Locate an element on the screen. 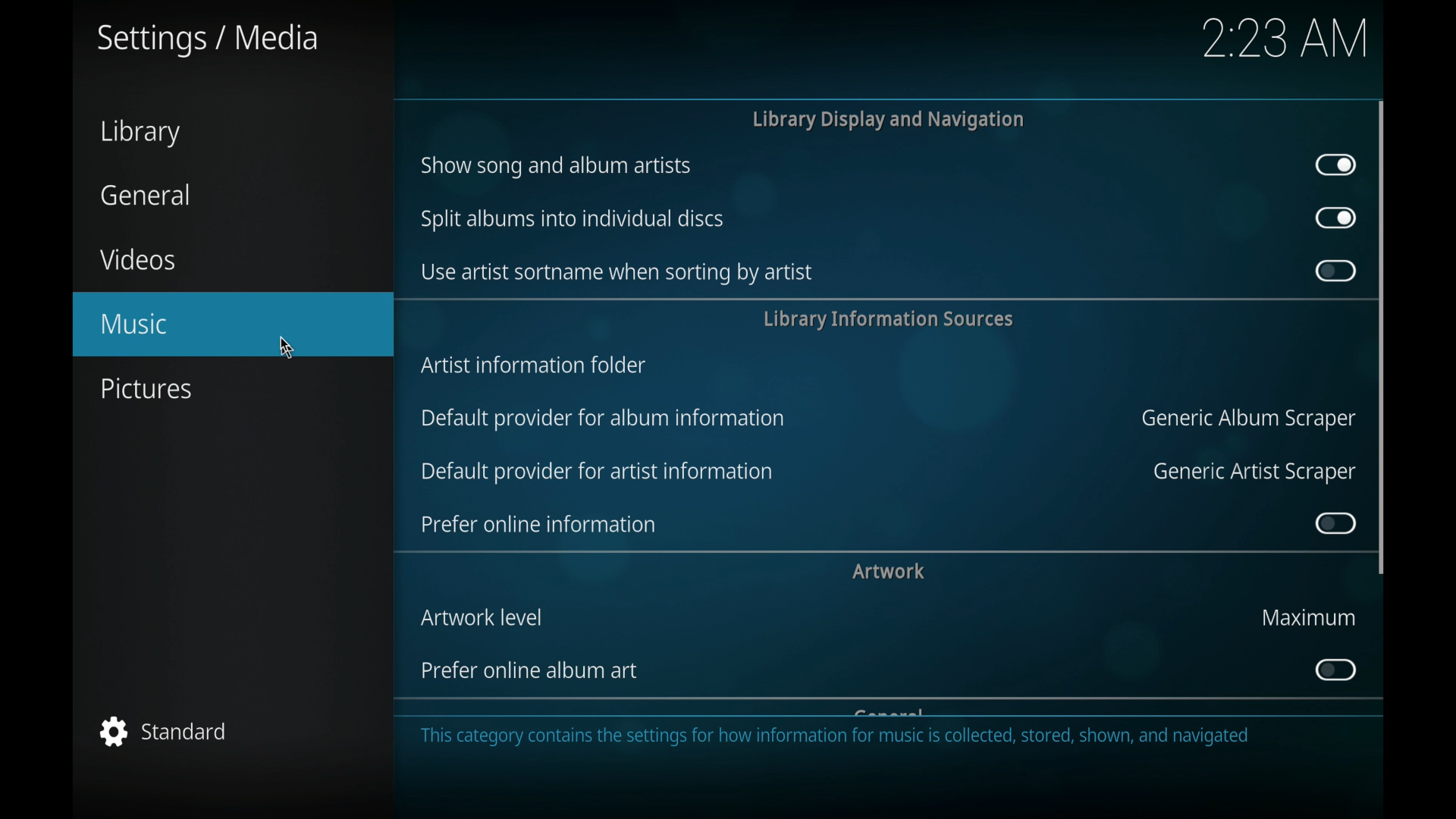  This category contains the settings for how information for music is collected, stored, shown, and navigated is located at coordinates (839, 742).